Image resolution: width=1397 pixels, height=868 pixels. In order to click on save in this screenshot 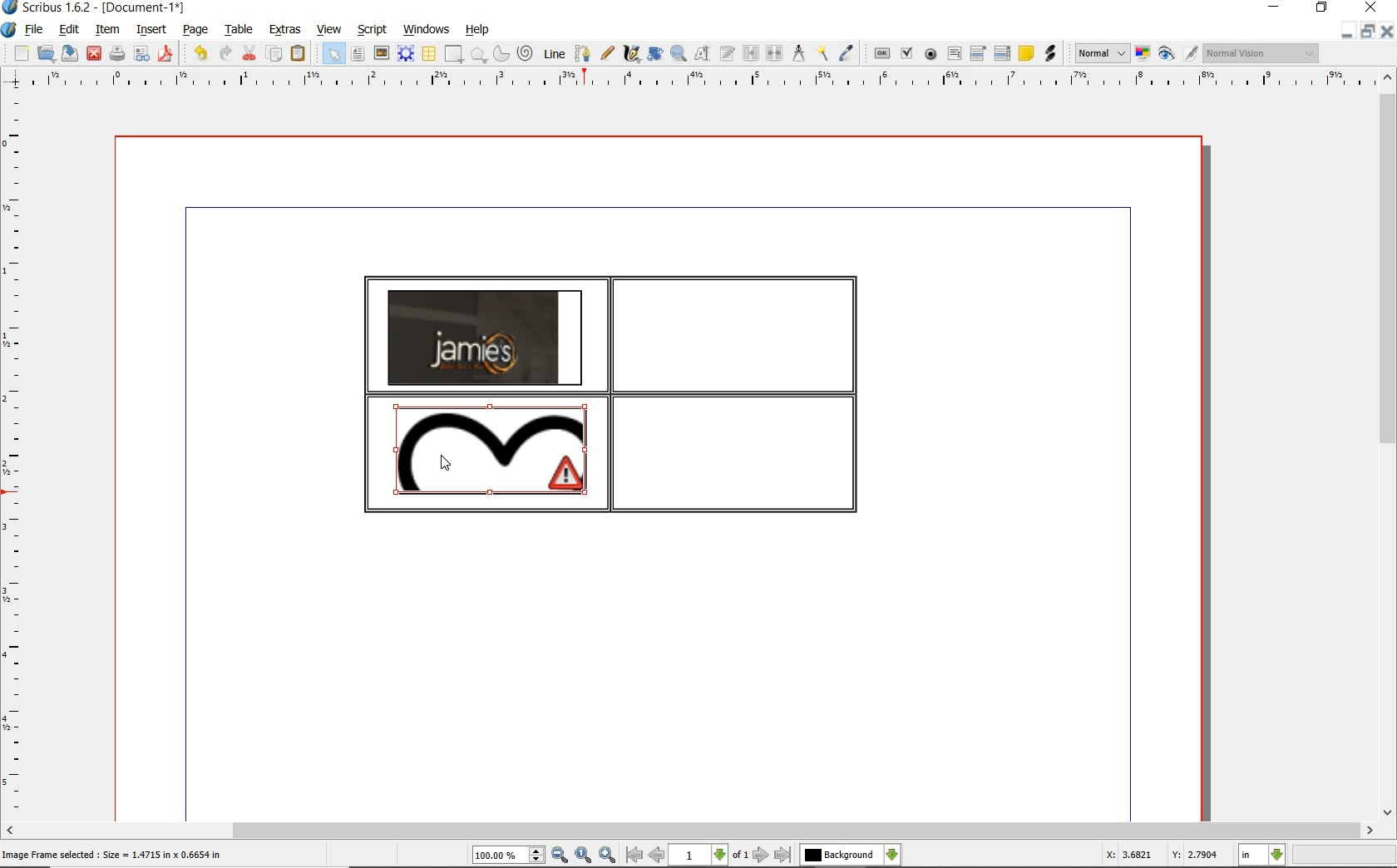, I will do `click(71, 52)`.